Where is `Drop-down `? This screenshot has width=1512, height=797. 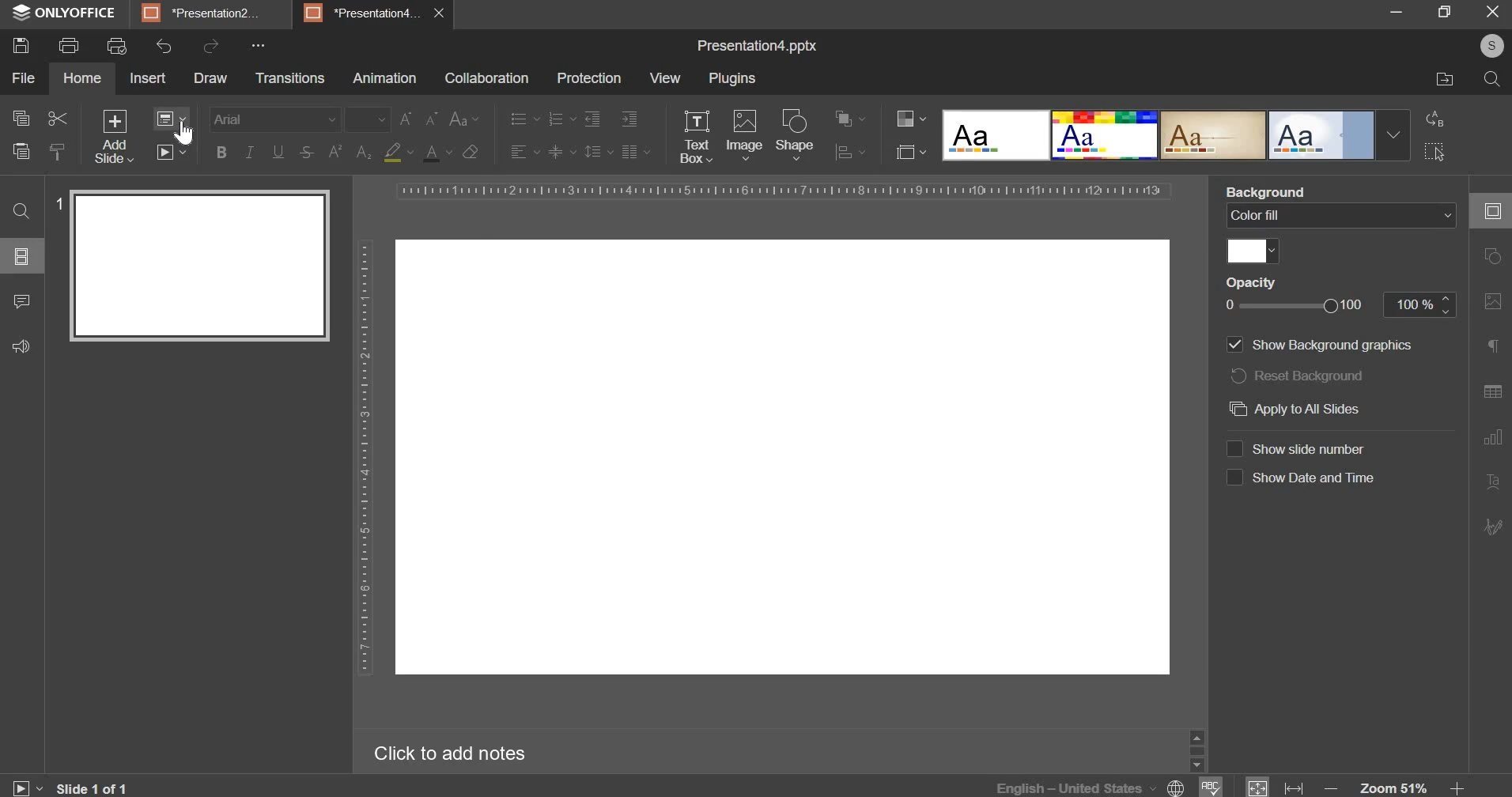
Drop-down  is located at coordinates (1393, 135).